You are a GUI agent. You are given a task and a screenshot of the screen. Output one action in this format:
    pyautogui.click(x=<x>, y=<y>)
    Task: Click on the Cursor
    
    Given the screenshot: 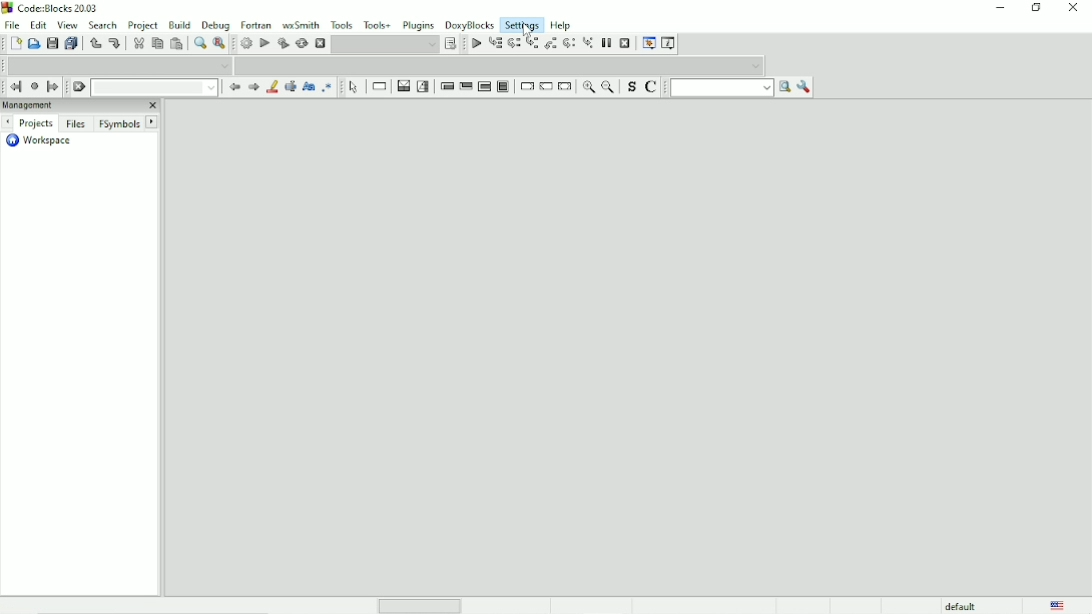 What is the action you would take?
    pyautogui.click(x=528, y=29)
    